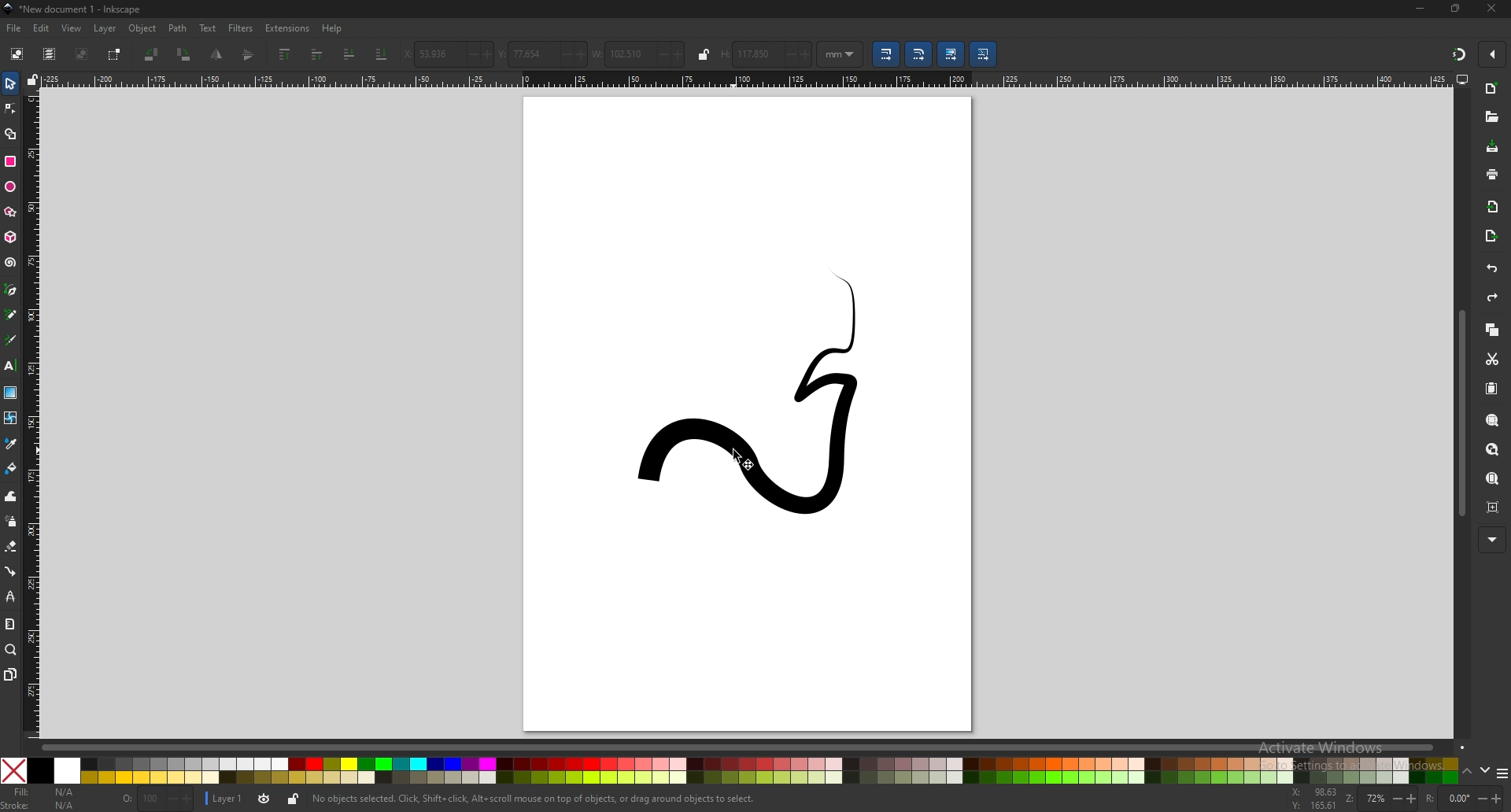 This screenshot has height=812, width=1511. Describe the element at coordinates (143, 28) in the screenshot. I see `object` at that location.